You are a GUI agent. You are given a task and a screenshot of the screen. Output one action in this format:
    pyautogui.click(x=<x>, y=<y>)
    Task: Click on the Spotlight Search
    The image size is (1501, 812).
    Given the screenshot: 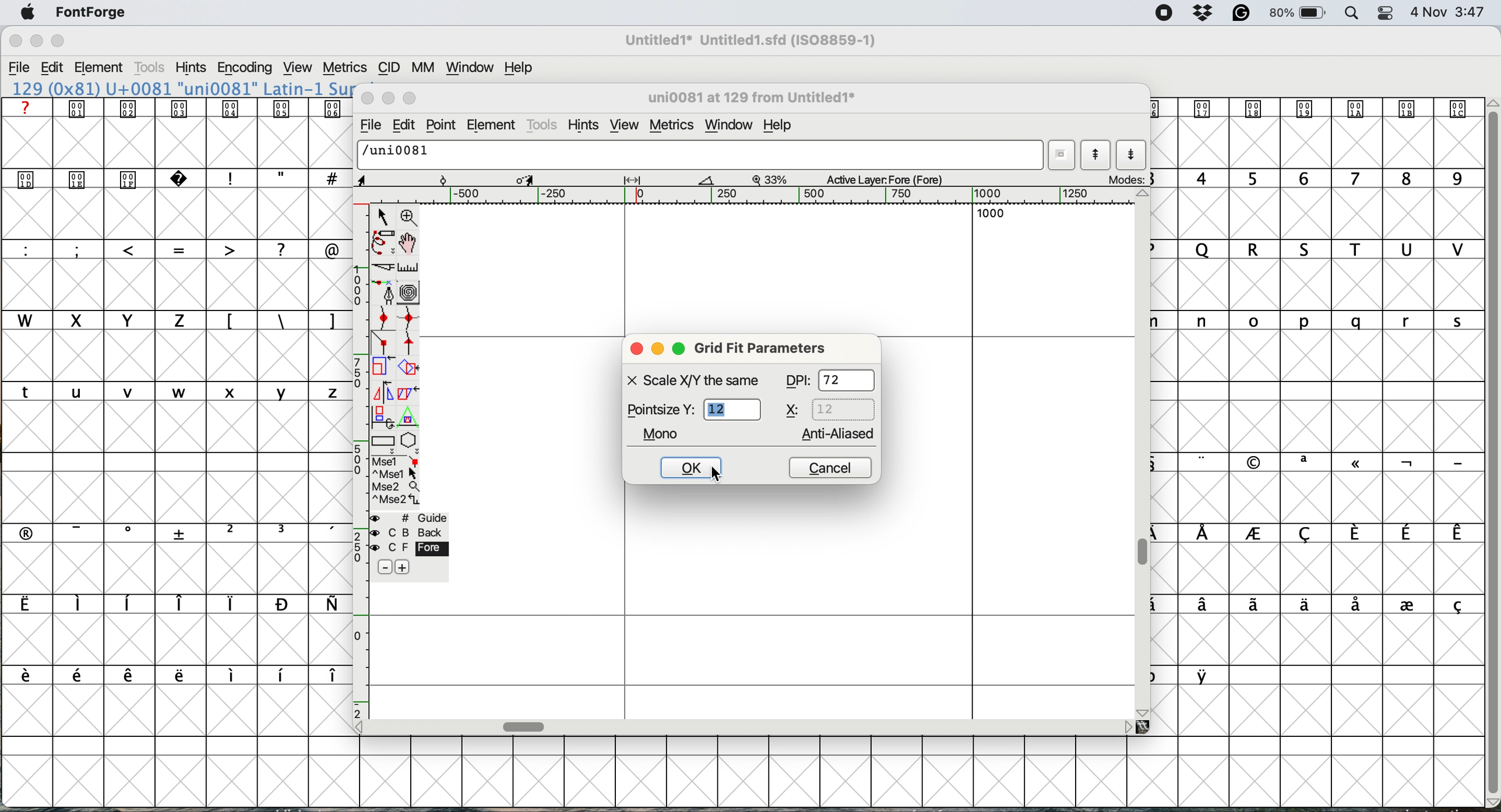 What is the action you would take?
    pyautogui.click(x=1352, y=14)
    